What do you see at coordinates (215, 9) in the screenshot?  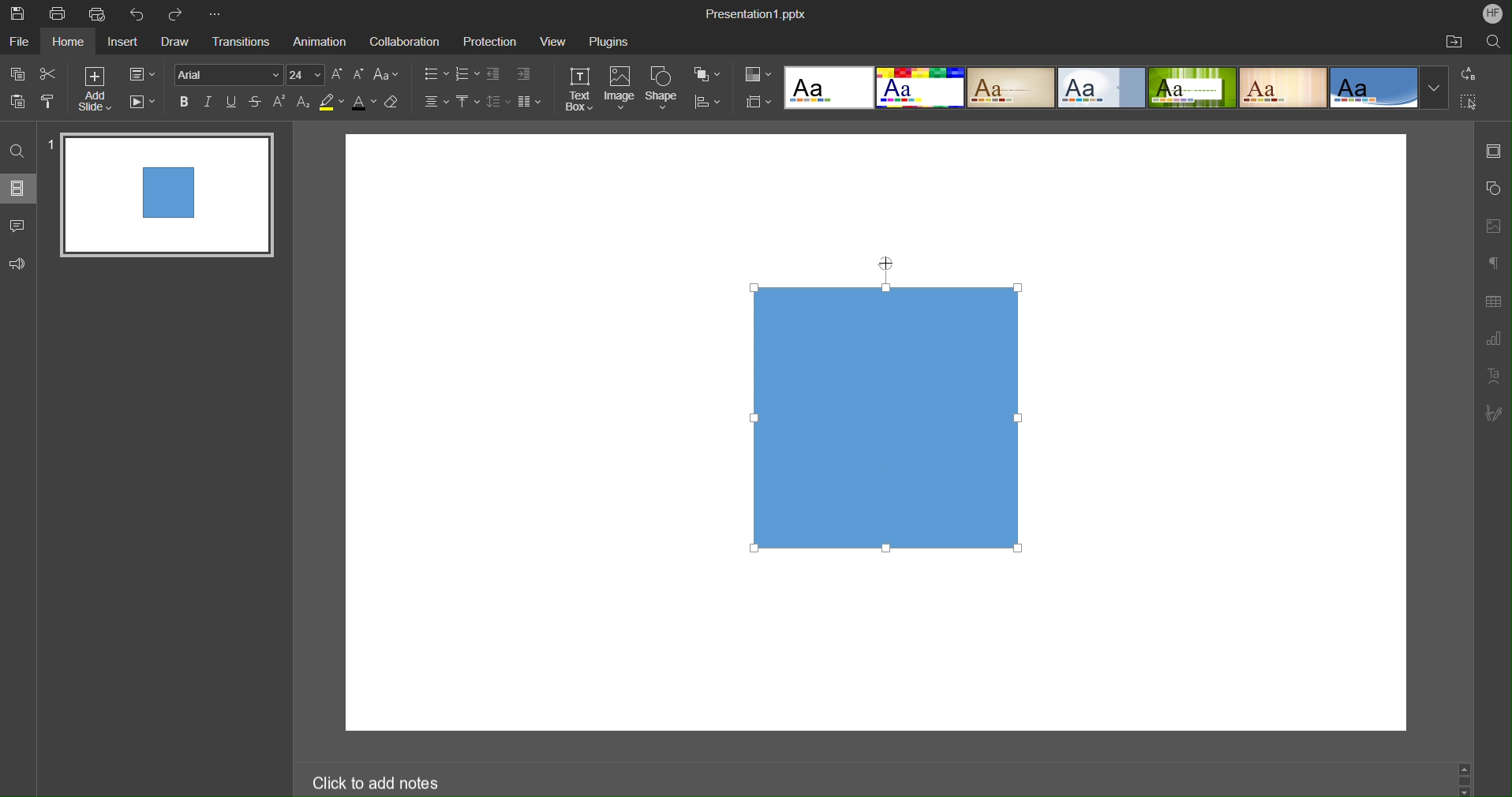 I see `More` at bounding box center [215, 9].